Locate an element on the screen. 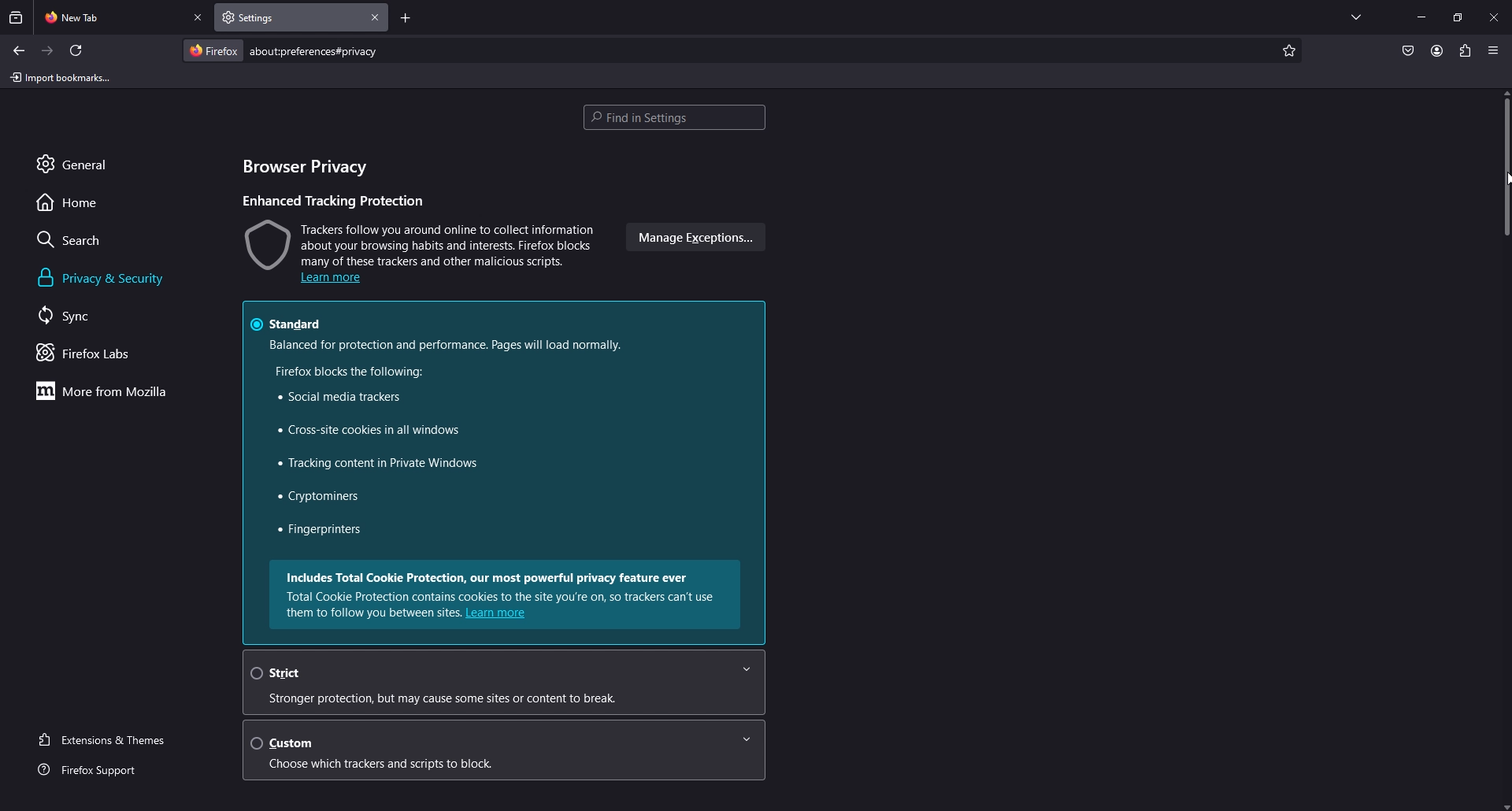 This screenshot has width=1512, height=811. privacy and security is located at coordinates (105, 278).